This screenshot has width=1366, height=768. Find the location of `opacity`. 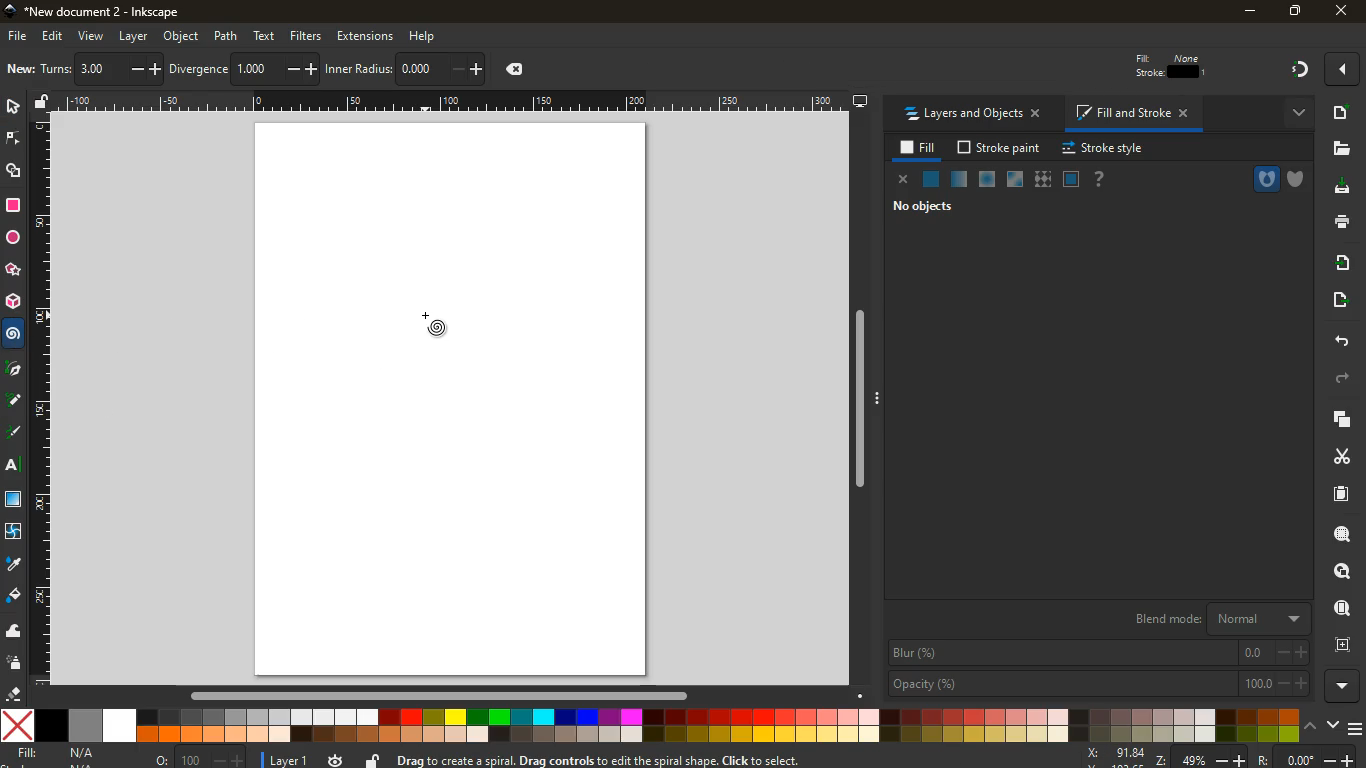

opacity is located at coordinates (959, 180).